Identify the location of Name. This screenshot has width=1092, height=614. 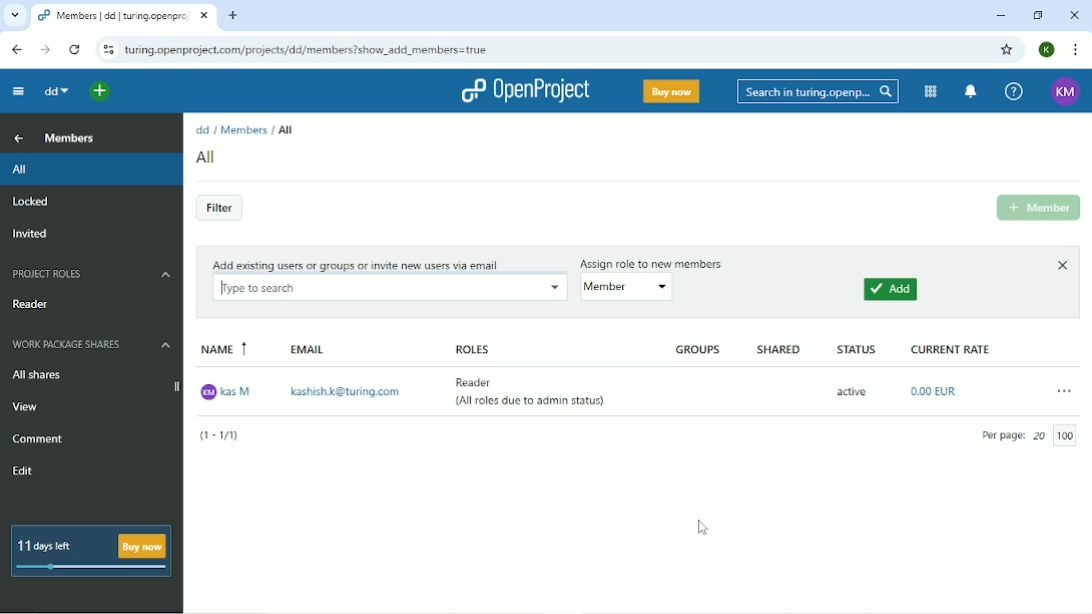
(223, 350).